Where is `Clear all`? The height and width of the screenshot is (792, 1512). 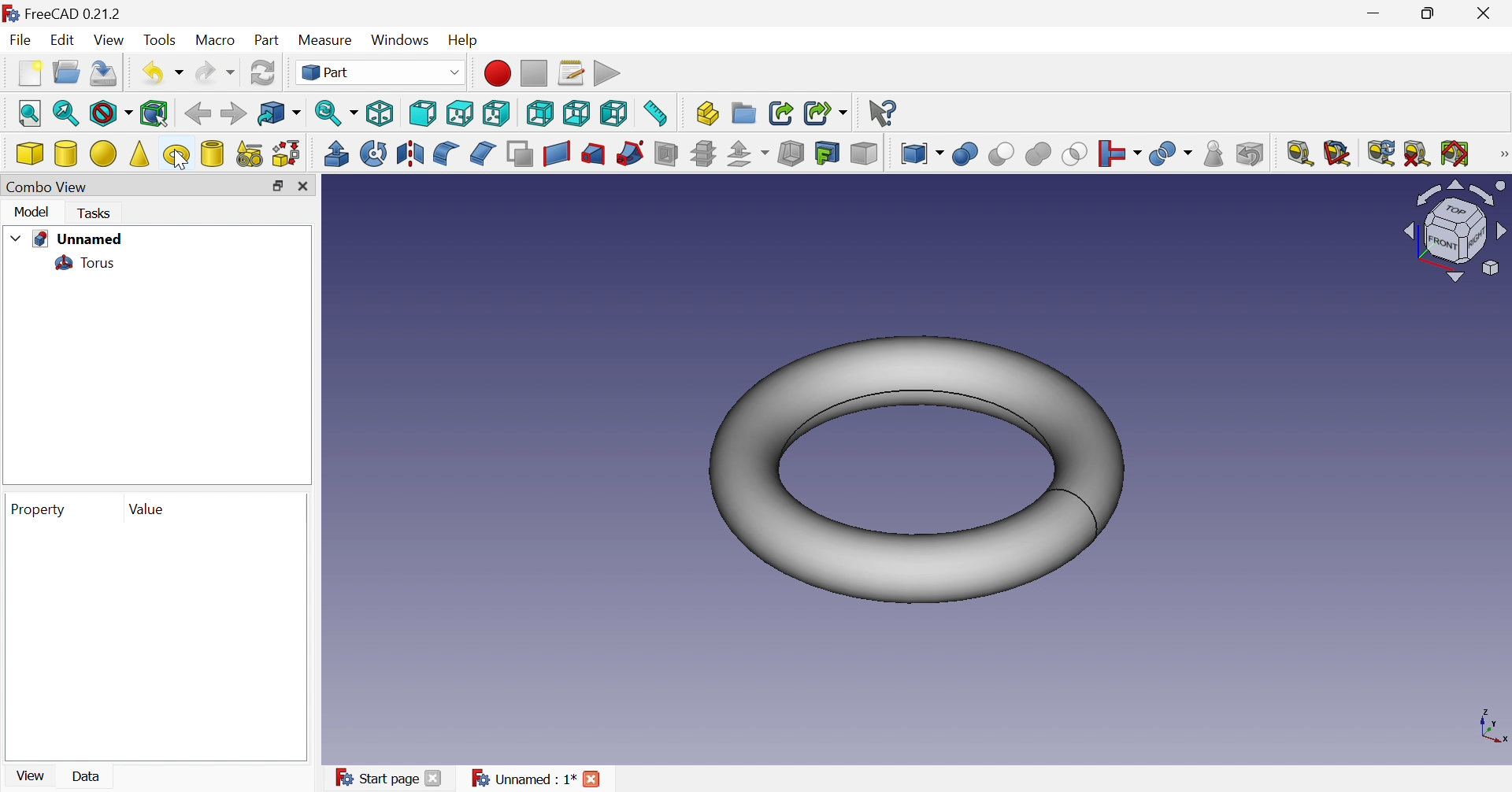
Clear all is located at coordinates (1420, 152).